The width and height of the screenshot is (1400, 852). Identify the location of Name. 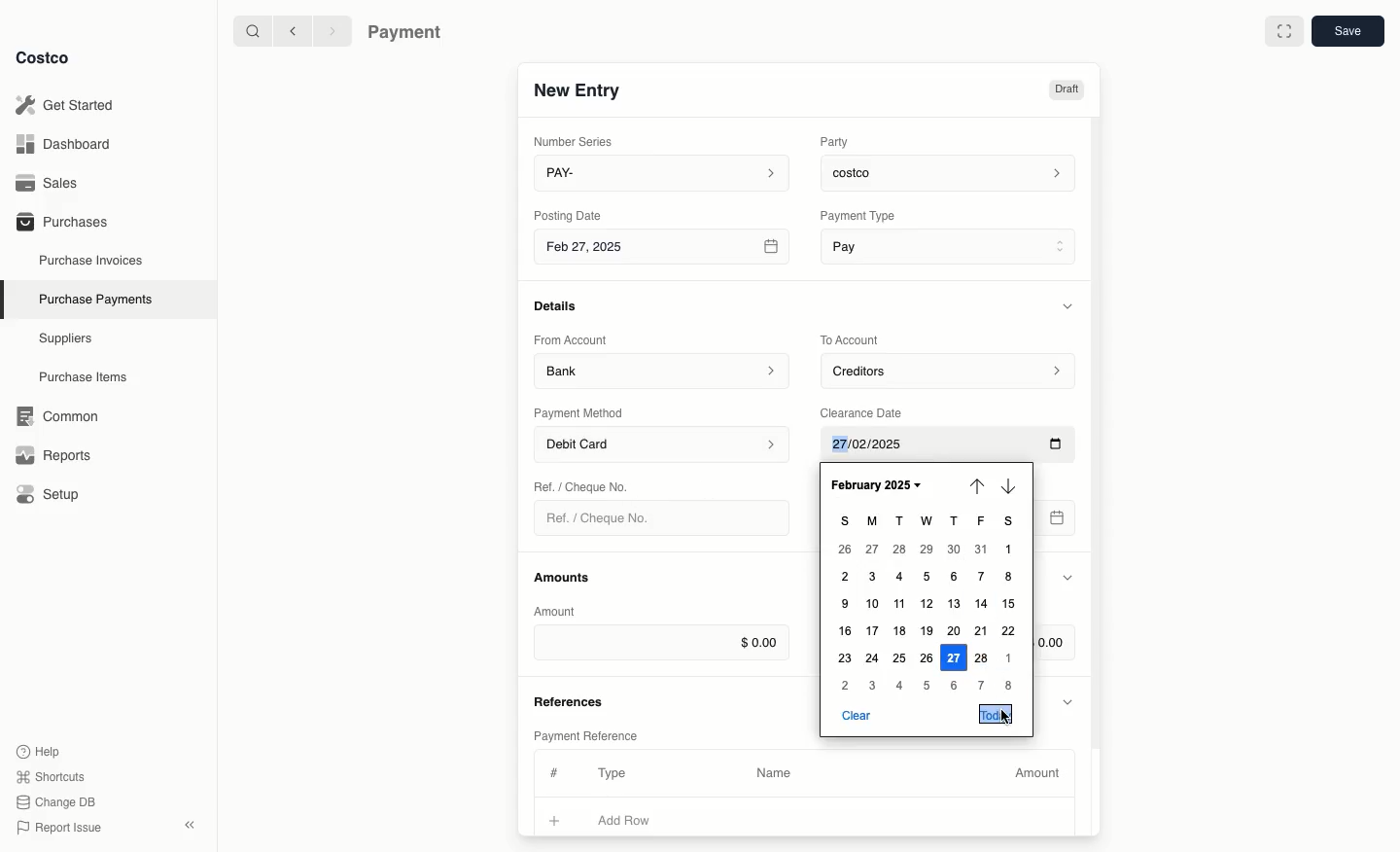
(774, 773).